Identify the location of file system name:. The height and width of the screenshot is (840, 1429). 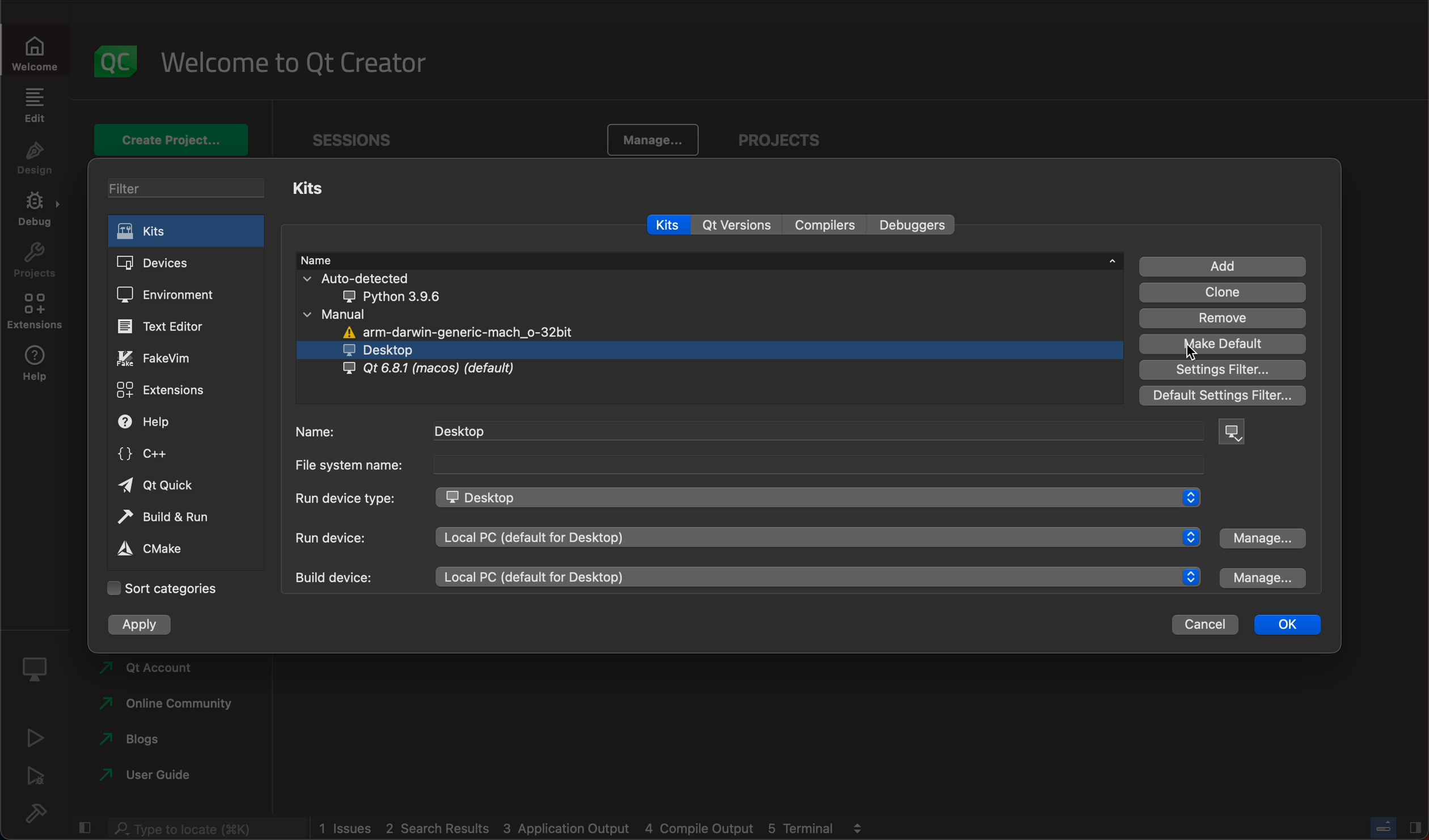
(752, 462).